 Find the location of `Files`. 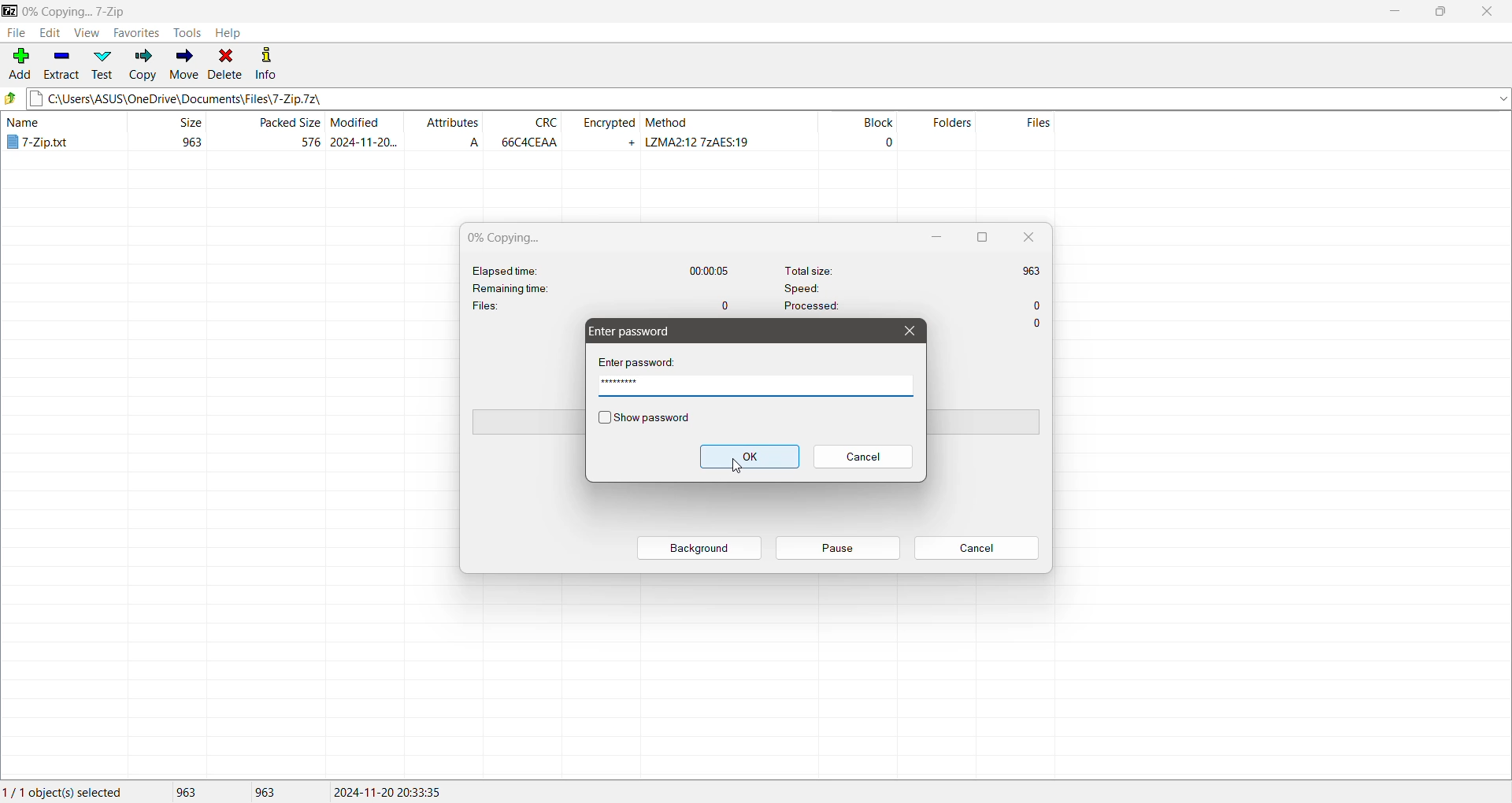

Files is located at coordinates (1031, 133).